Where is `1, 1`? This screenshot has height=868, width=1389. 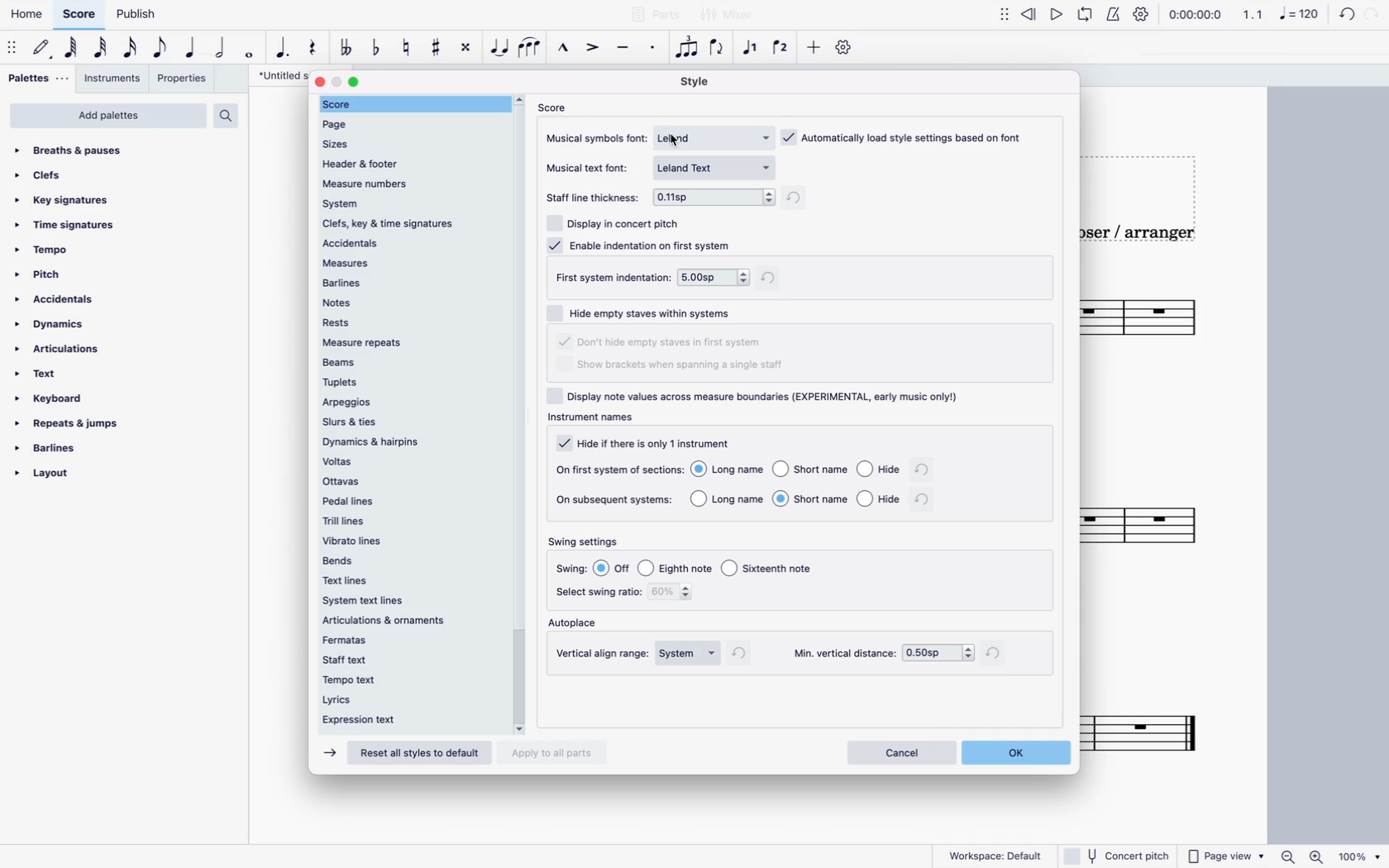
1, 1 is located at coordinates (1256, 13).